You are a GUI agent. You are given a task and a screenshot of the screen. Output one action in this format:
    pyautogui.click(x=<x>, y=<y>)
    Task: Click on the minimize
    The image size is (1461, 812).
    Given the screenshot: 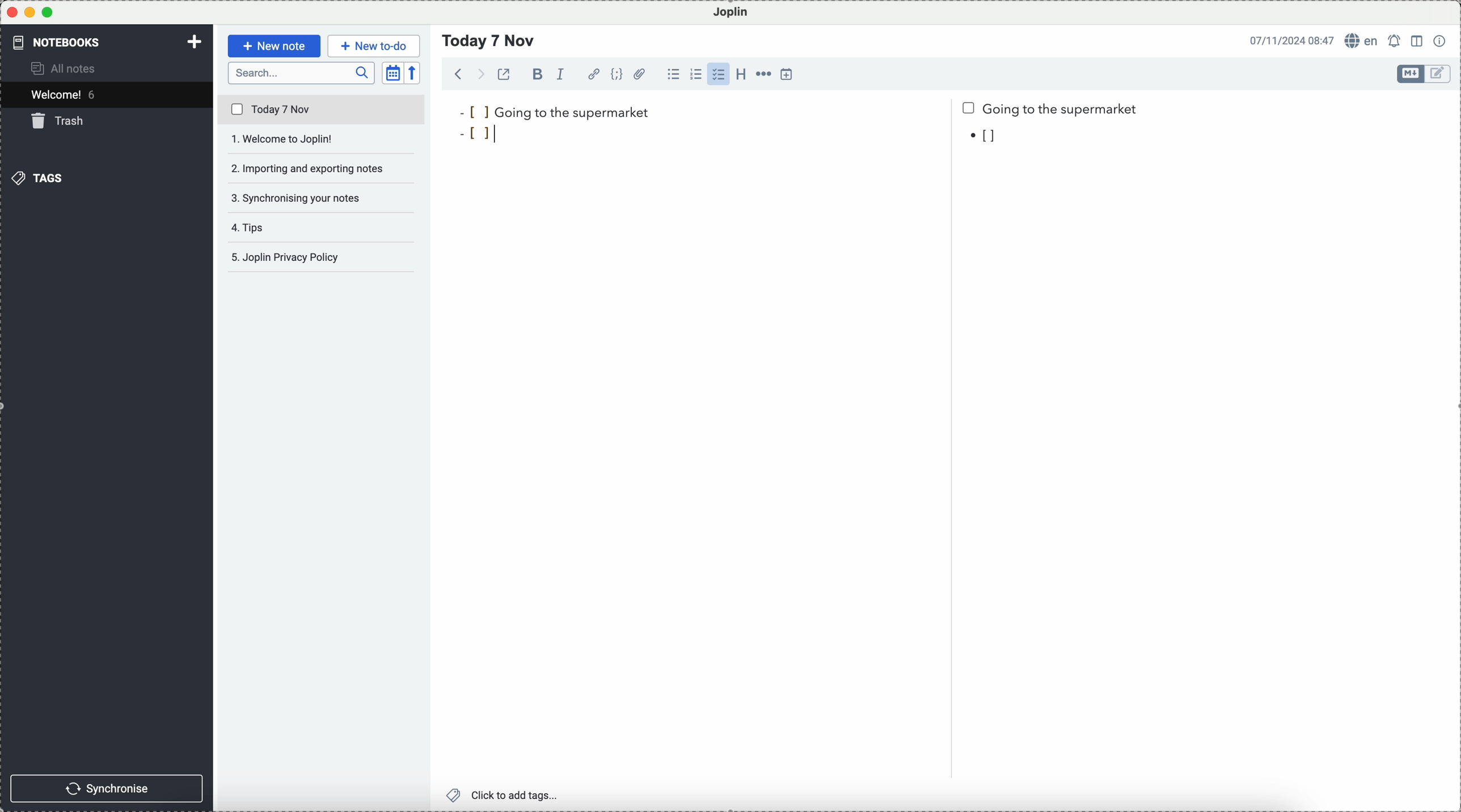 What is the action you would take?
    pyautogui.click(x=31, y=12)
    